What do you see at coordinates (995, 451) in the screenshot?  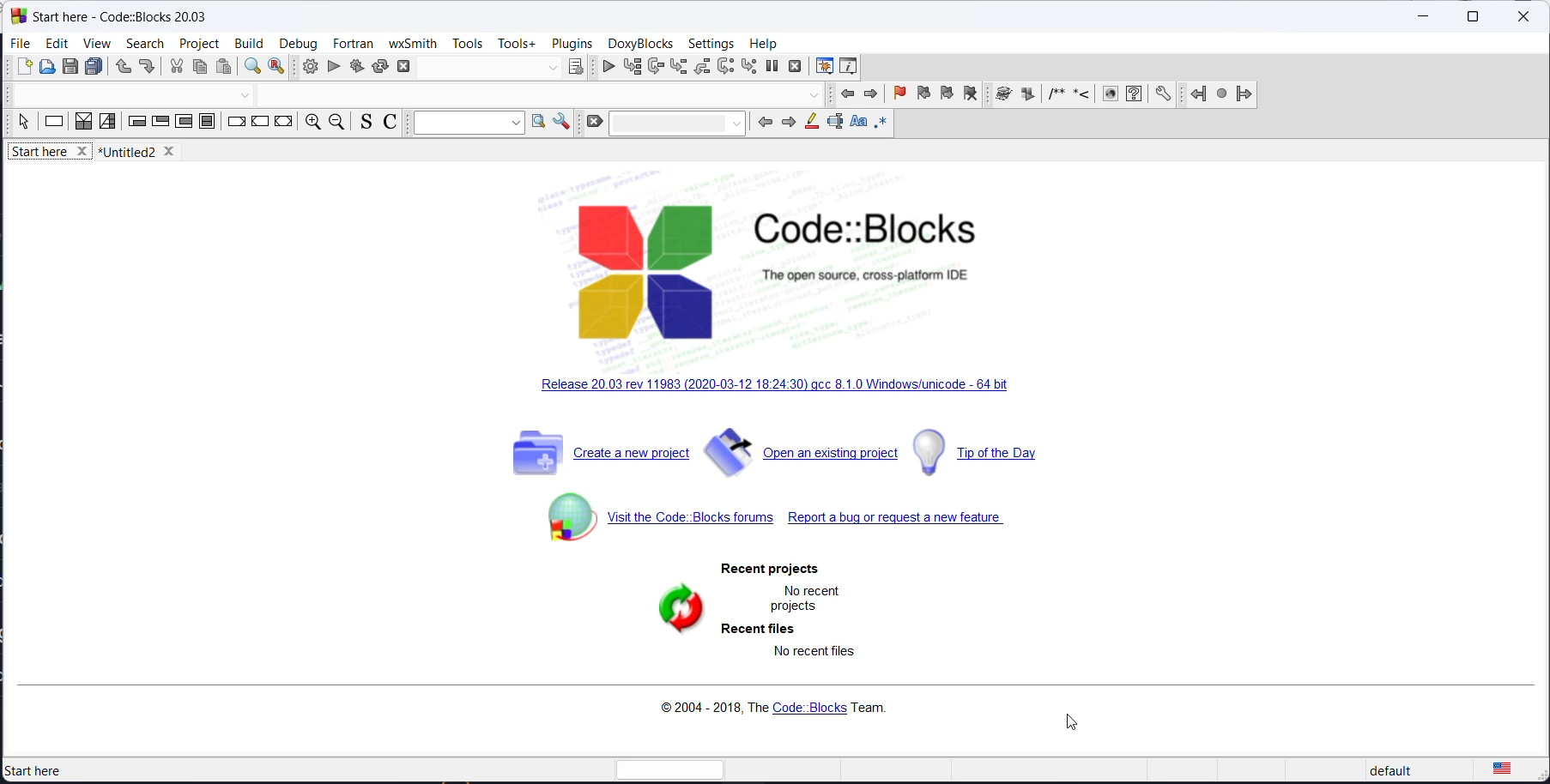 I see `tip of the day` at bounding box center [995, 451].